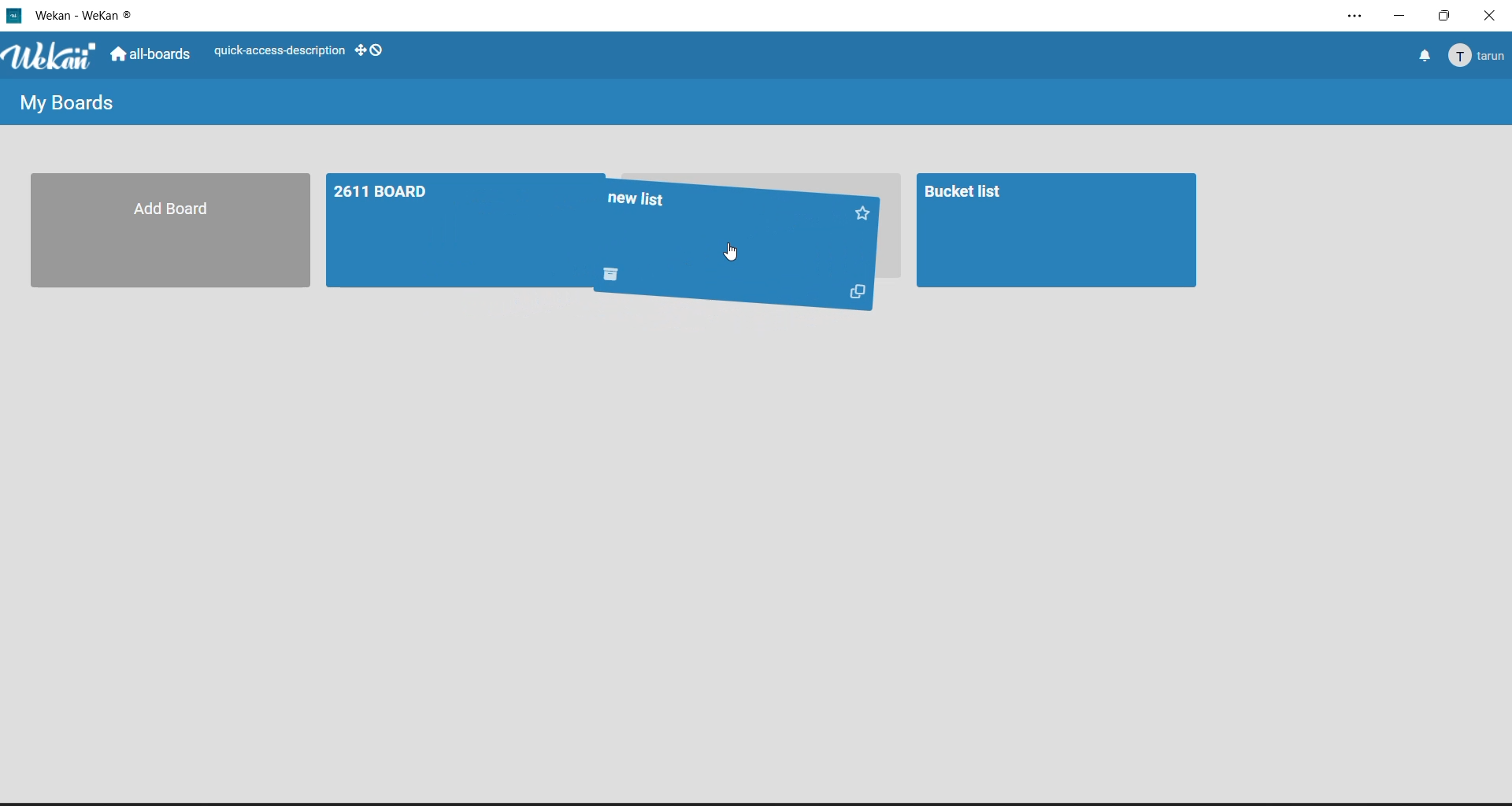 The width and height of the screenshot is (1512, 806). I want to click on Delete, so click(610, 276).